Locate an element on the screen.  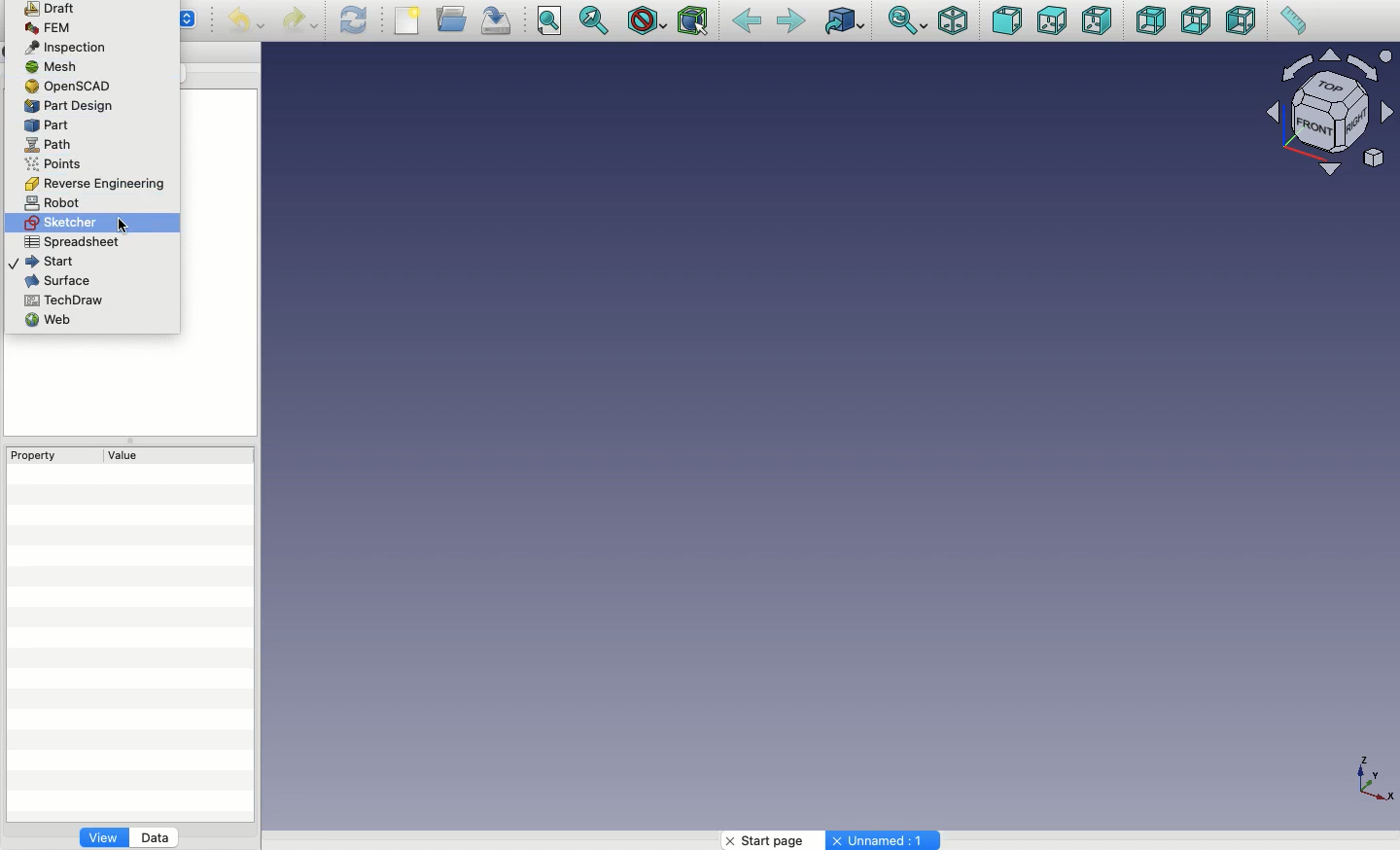
Unnamed is located at coordinates (885, 841).